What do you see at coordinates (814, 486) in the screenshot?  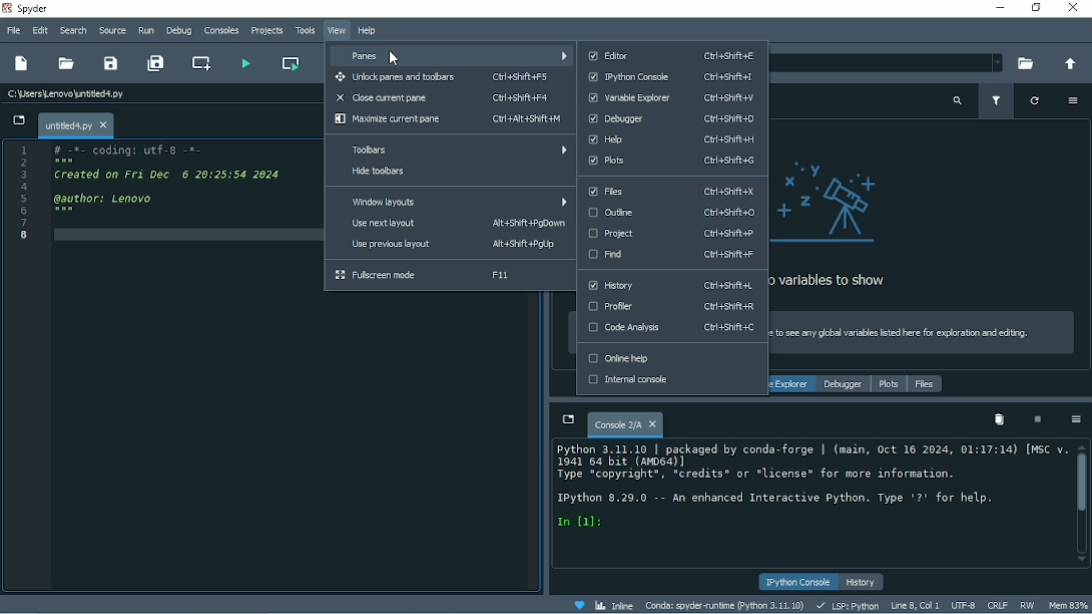 I see `Console` at bounding box center [814, 486].